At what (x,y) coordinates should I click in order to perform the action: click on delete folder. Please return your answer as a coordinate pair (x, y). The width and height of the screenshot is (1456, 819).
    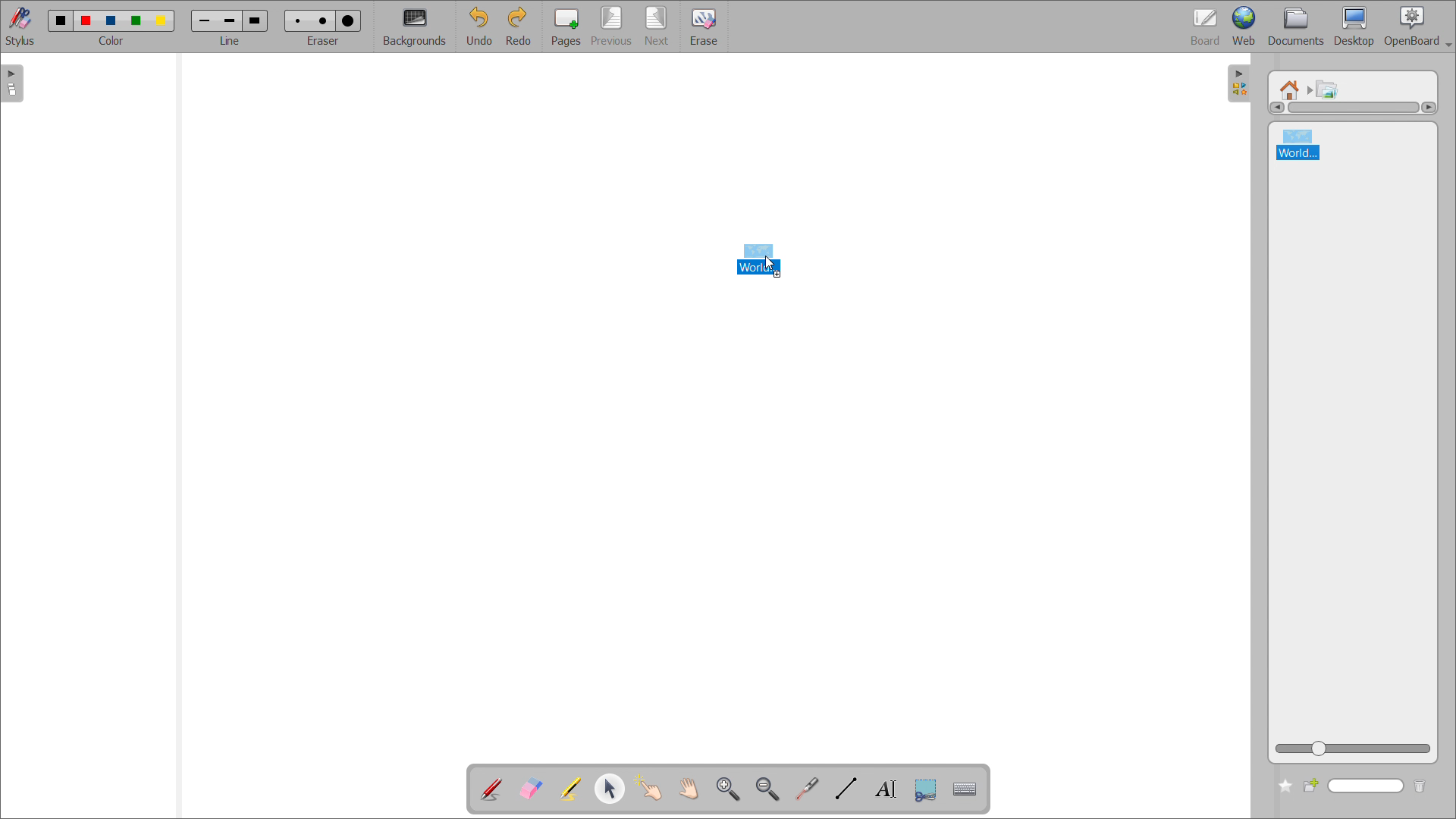
    Looking at the image, I should click on (1422, 787).